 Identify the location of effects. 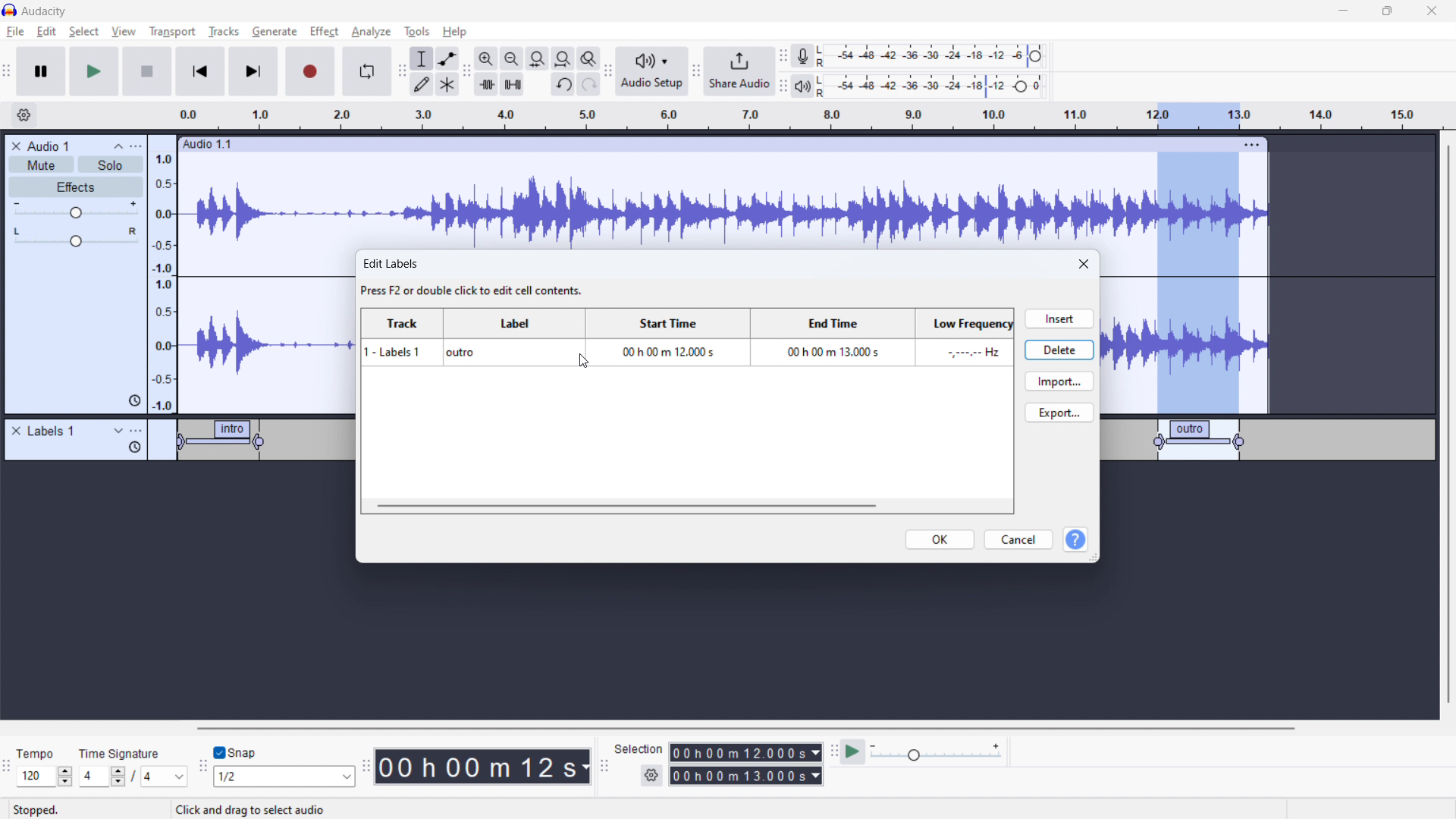
(77, 187).